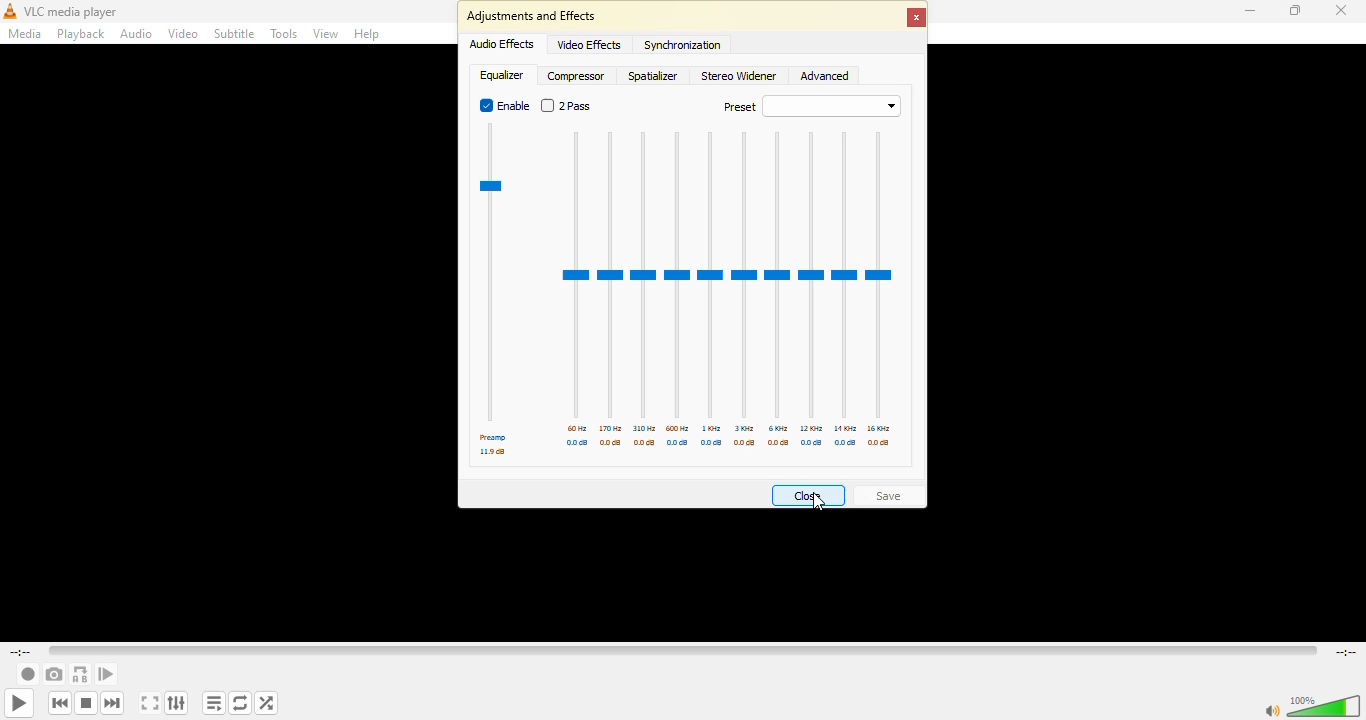 This screenshot has width=1366, height=720. I want to click on frame by frame, so click(106, 673).